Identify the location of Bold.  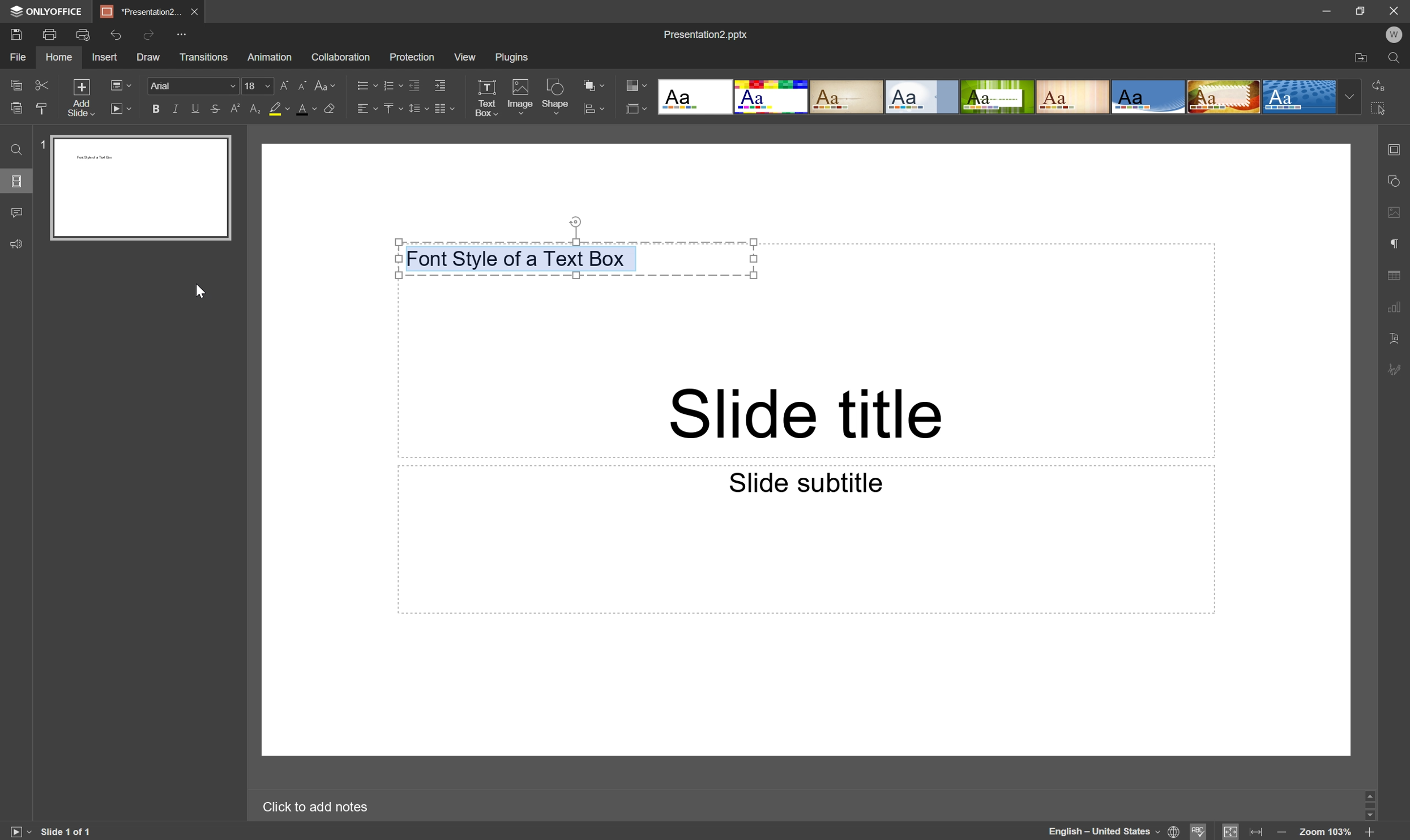
(156, 110).